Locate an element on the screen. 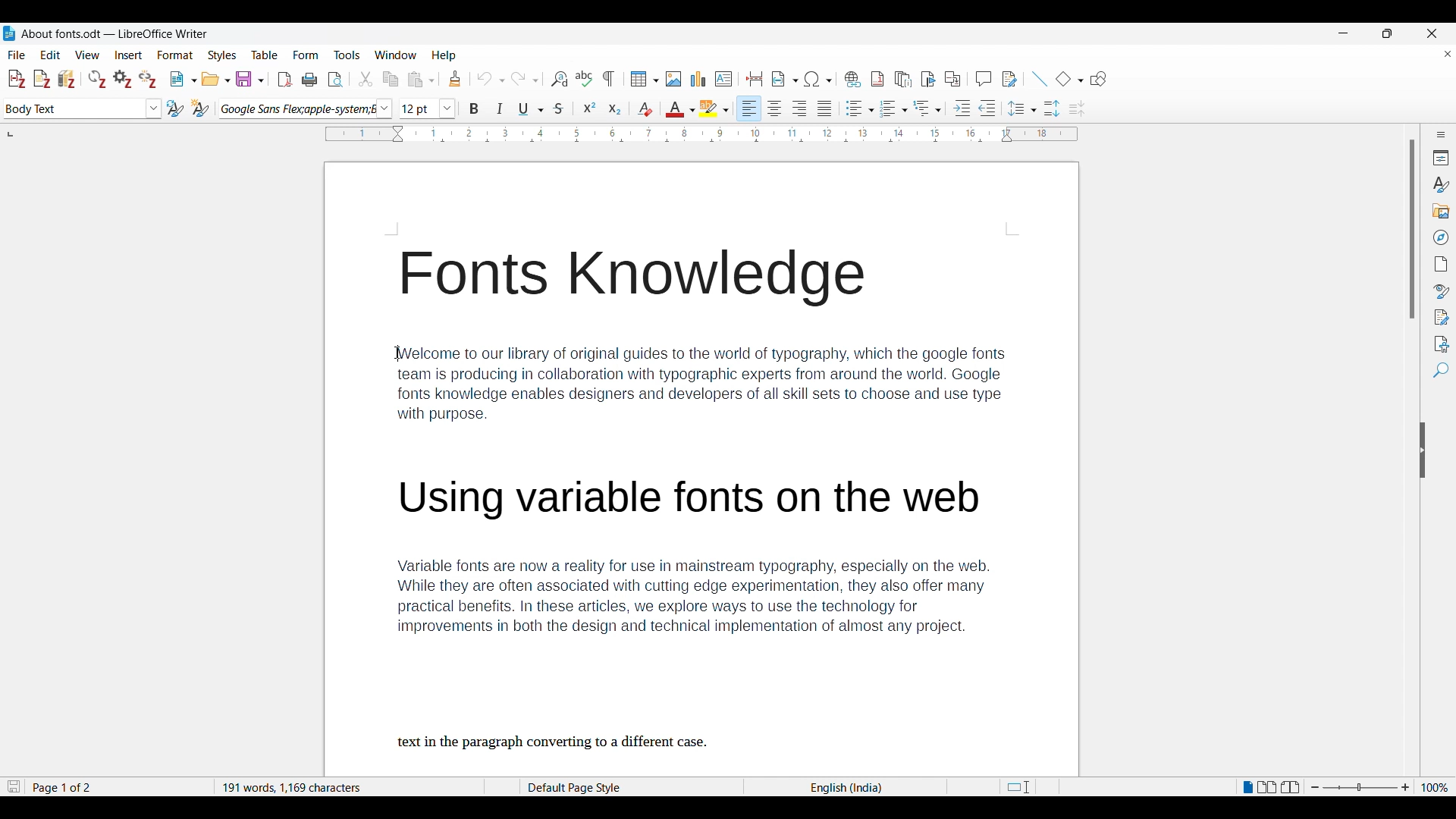 The height and width of the screenshot is (819, 1456). Insert endnote is located at coordinates (903, 79).